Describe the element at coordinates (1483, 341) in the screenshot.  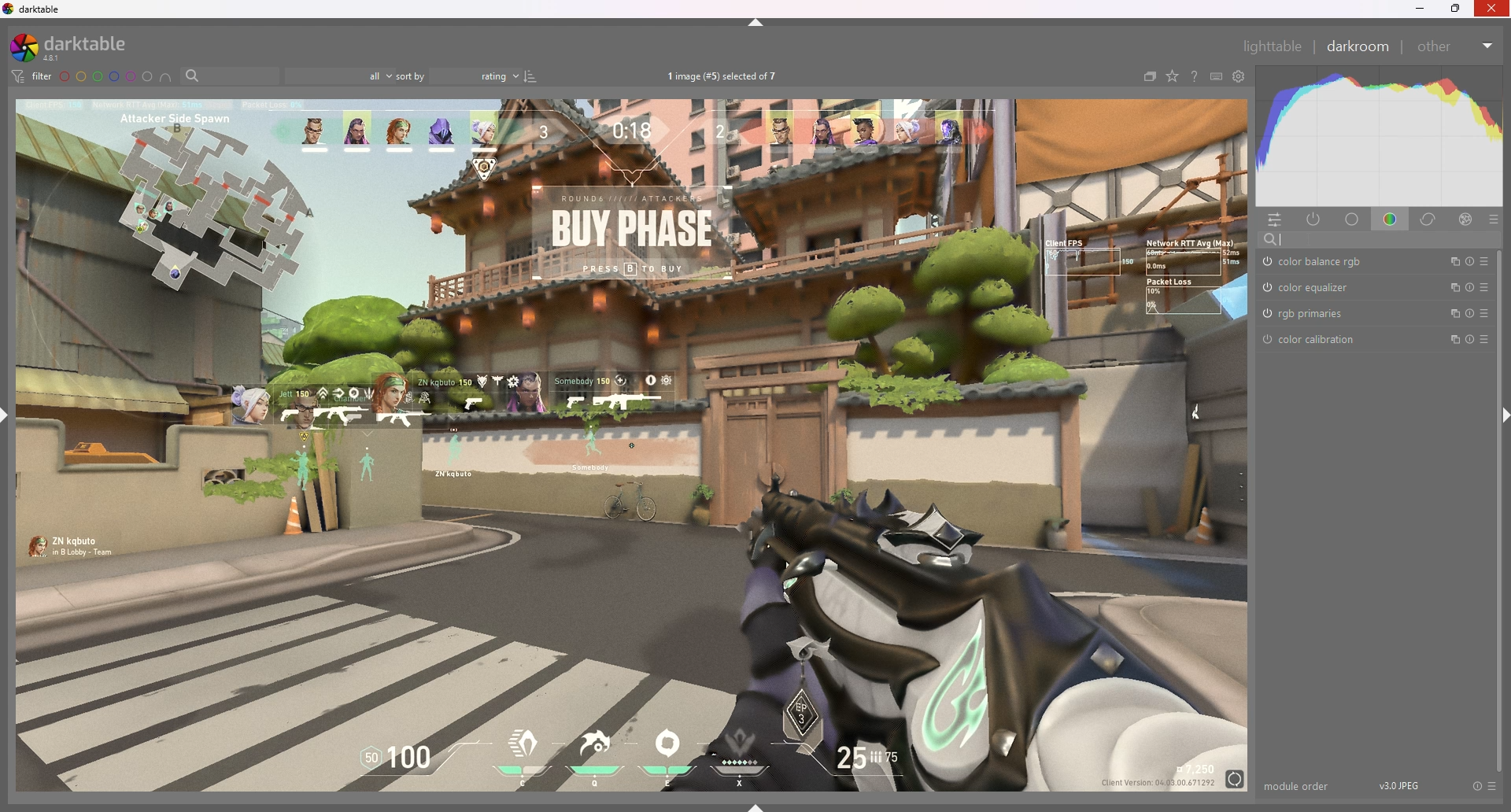
I see `presets` at that location.